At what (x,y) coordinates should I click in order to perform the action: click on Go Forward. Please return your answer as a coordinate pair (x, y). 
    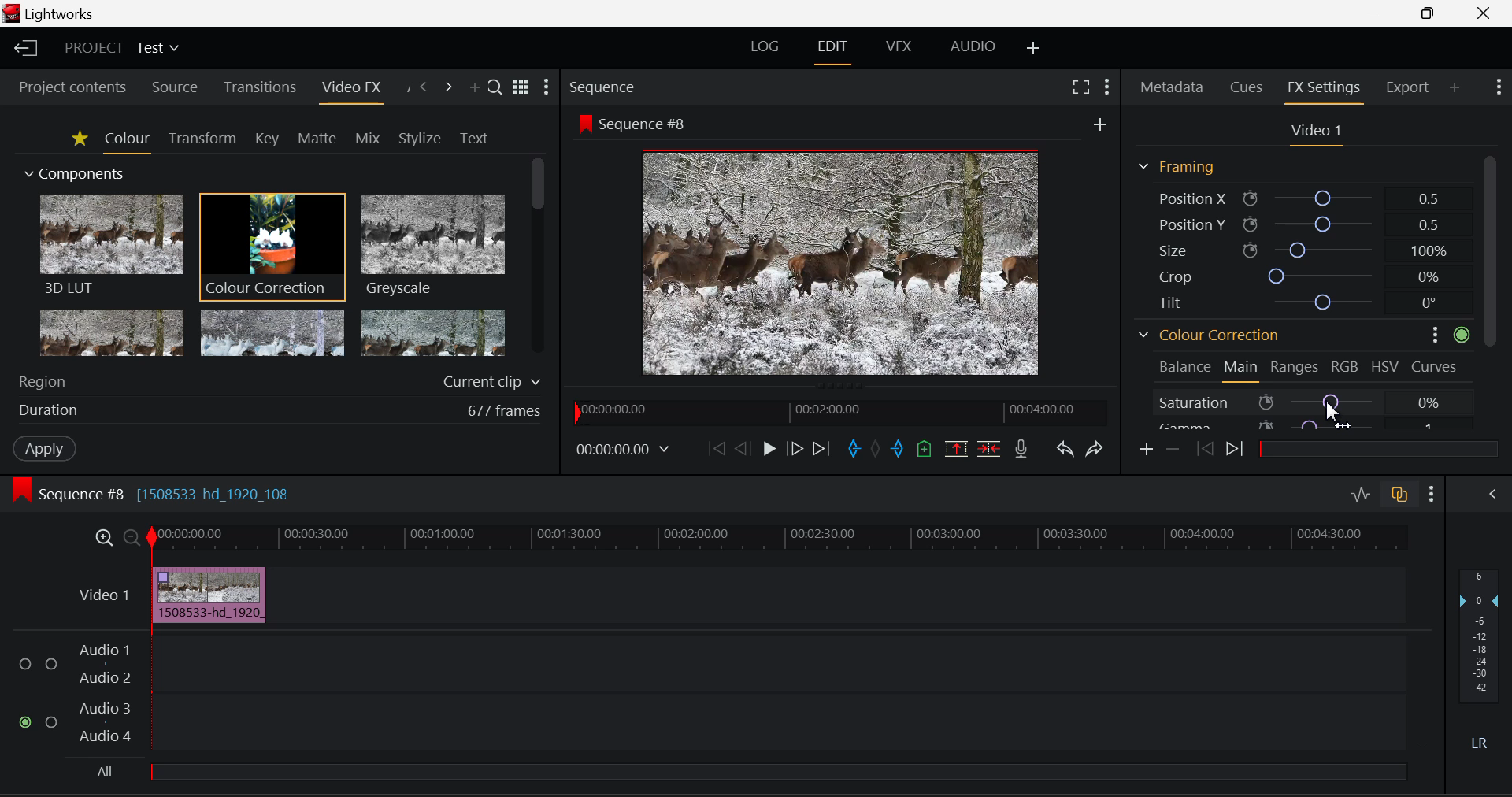
    Looking at the image, I should click on (794, 451).